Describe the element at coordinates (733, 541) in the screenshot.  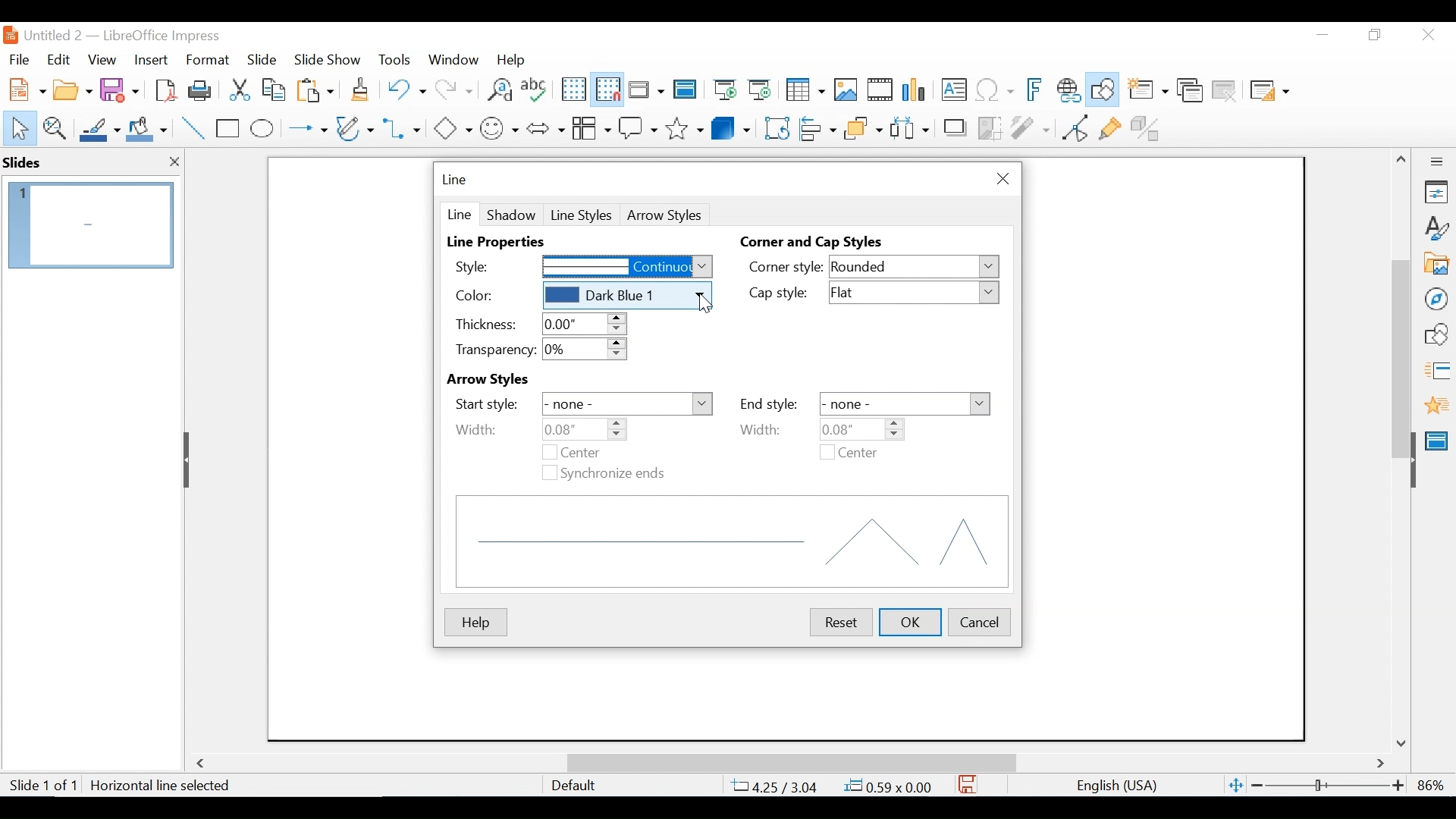
I see `Line preview` at that location.